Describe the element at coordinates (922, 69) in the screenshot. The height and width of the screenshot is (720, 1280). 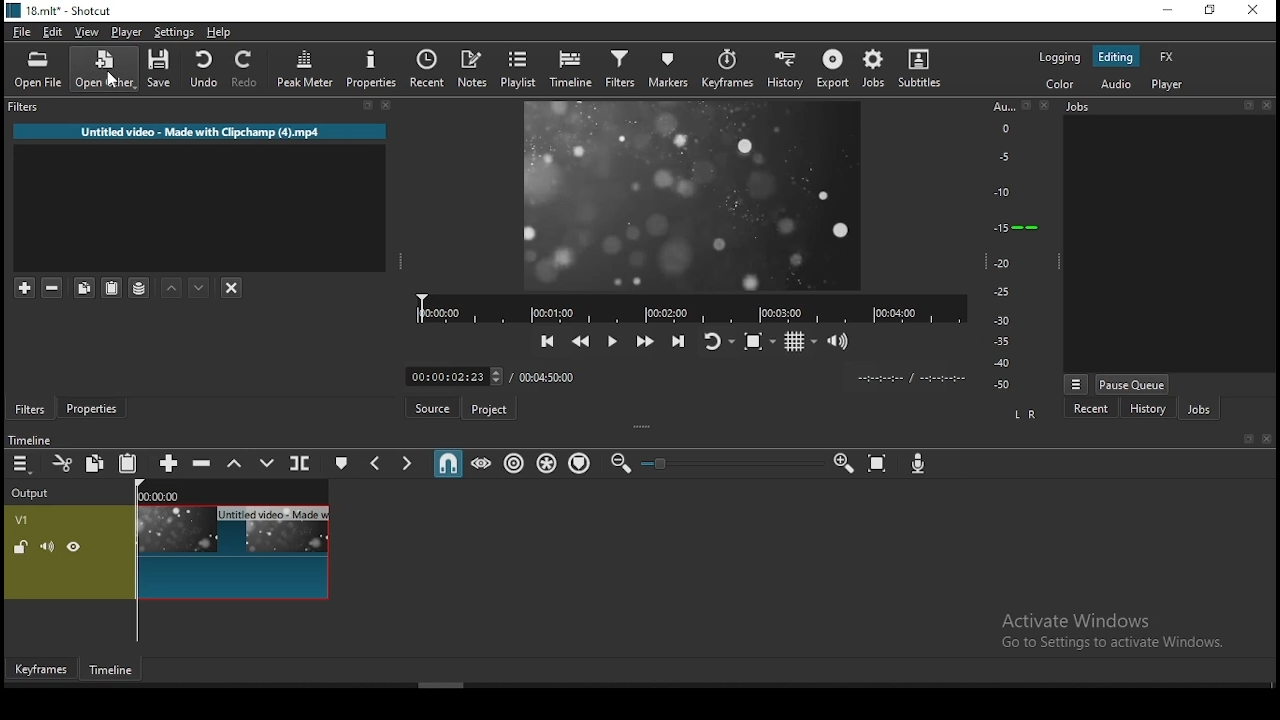
I see `subtitle` at that location.